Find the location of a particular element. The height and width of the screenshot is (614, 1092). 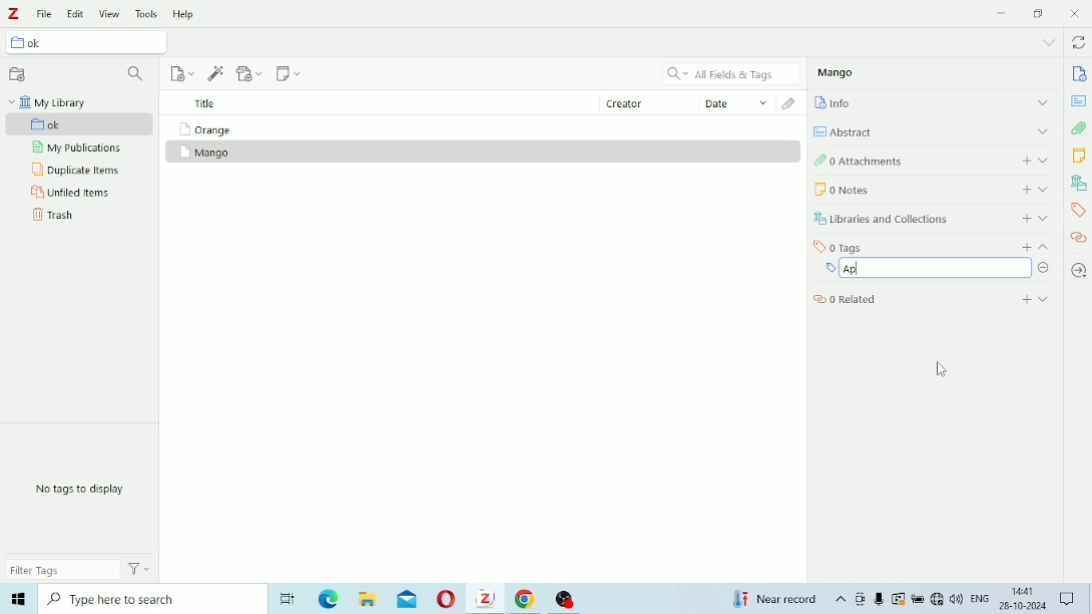

Actions is located at coordinates (138, 569).